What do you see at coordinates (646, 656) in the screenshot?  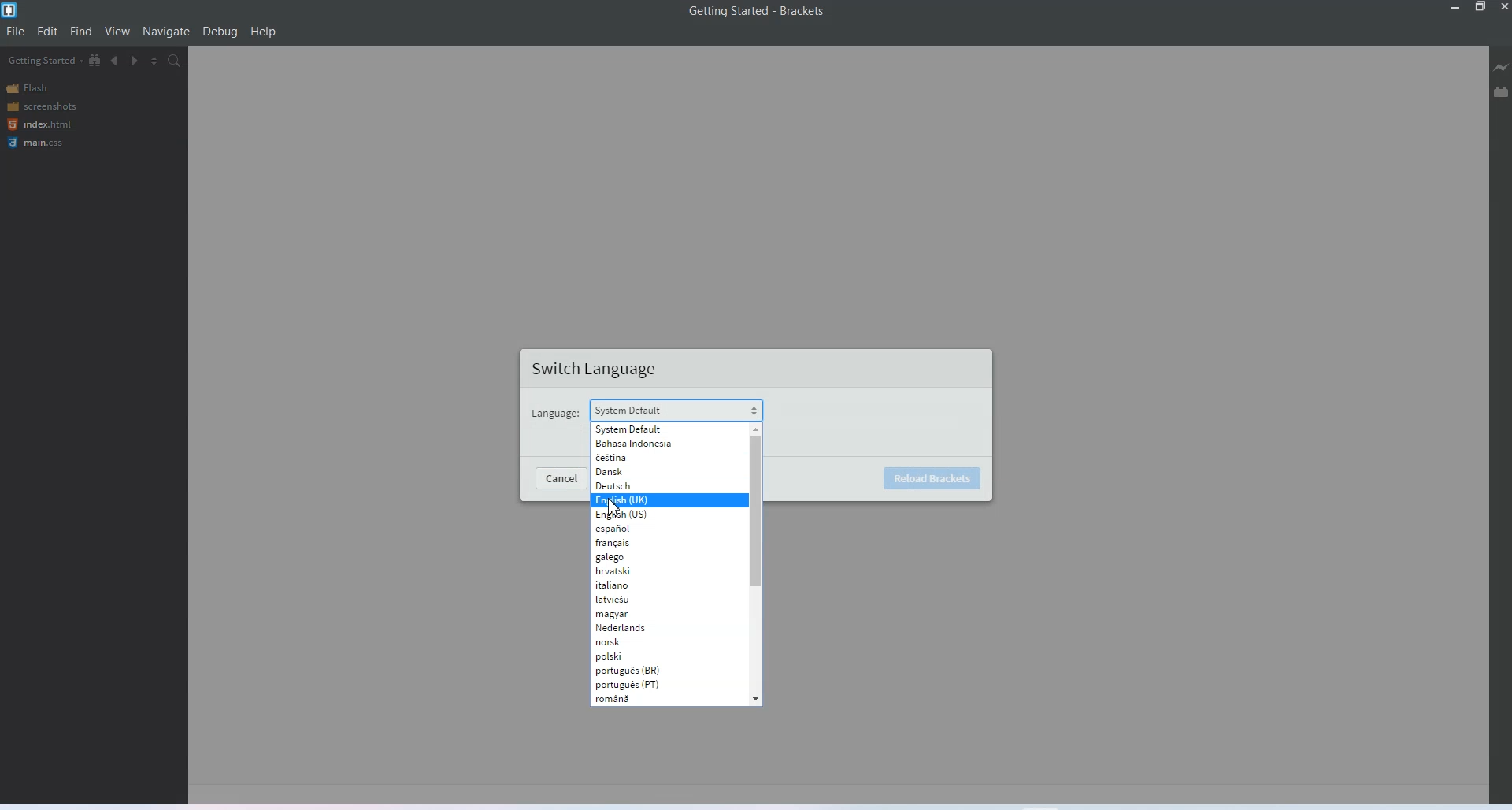 I see `Polski` at bounding box center [646, 656].